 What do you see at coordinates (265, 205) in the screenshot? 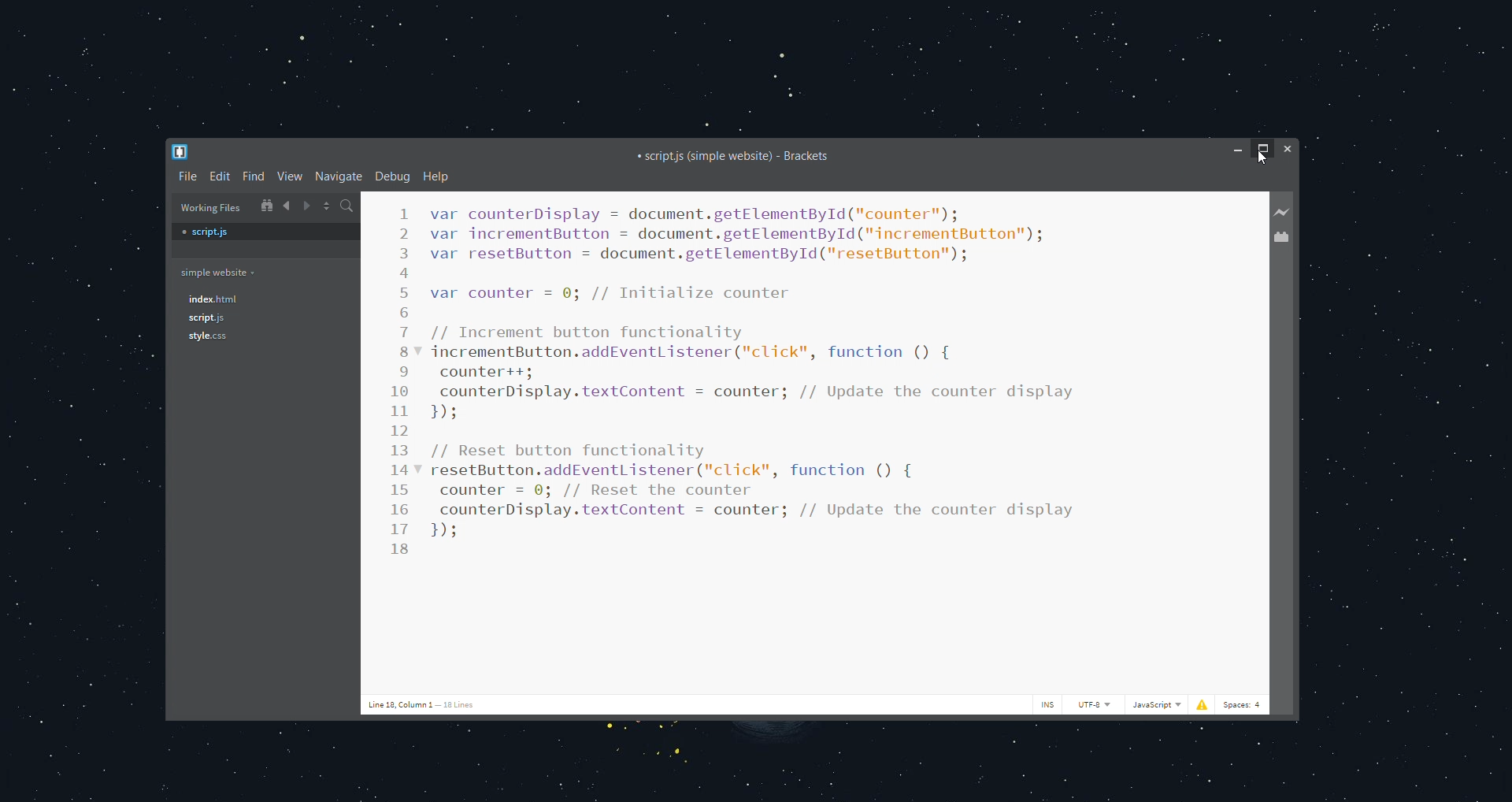
I see `show in file tree` at bounding box center [265, 205].